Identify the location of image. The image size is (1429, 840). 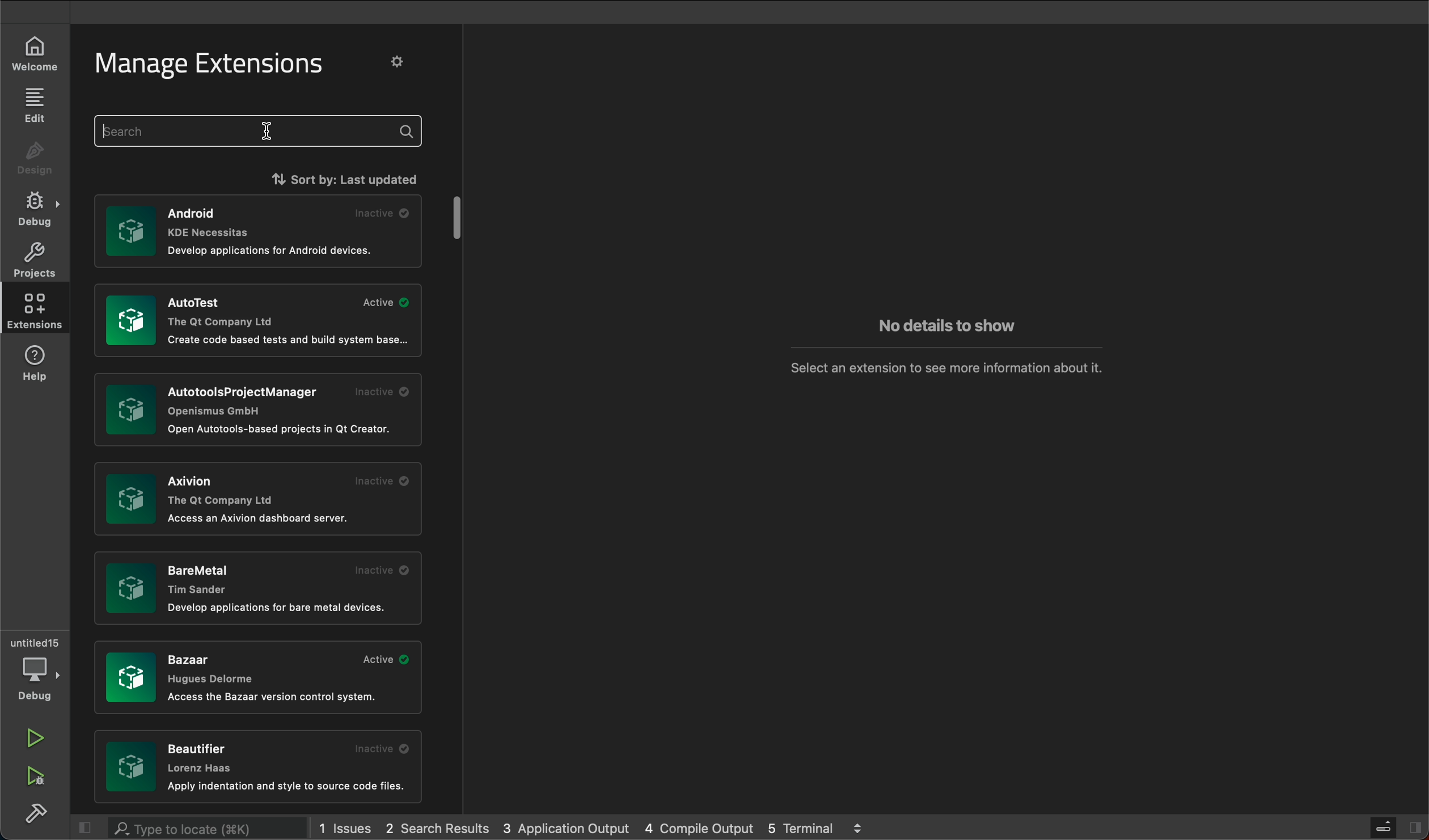
(132, 231).